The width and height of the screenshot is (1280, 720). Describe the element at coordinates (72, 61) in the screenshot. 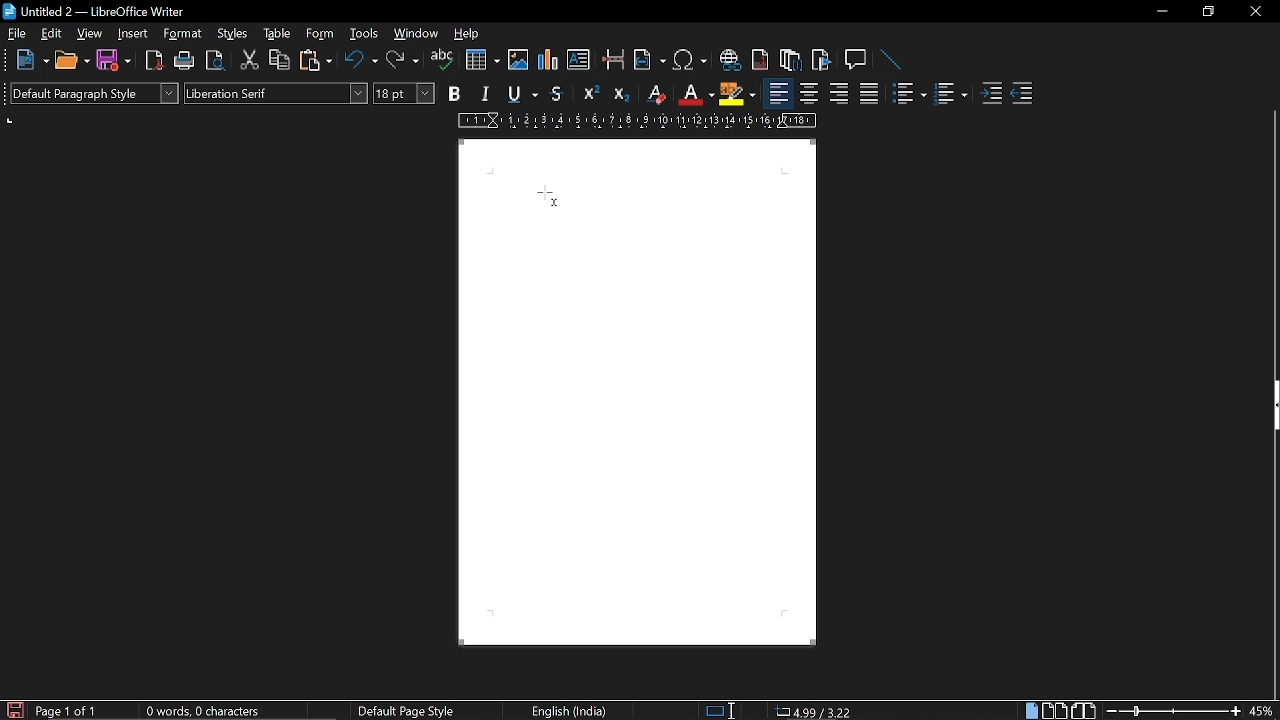

I see `open` at that location.